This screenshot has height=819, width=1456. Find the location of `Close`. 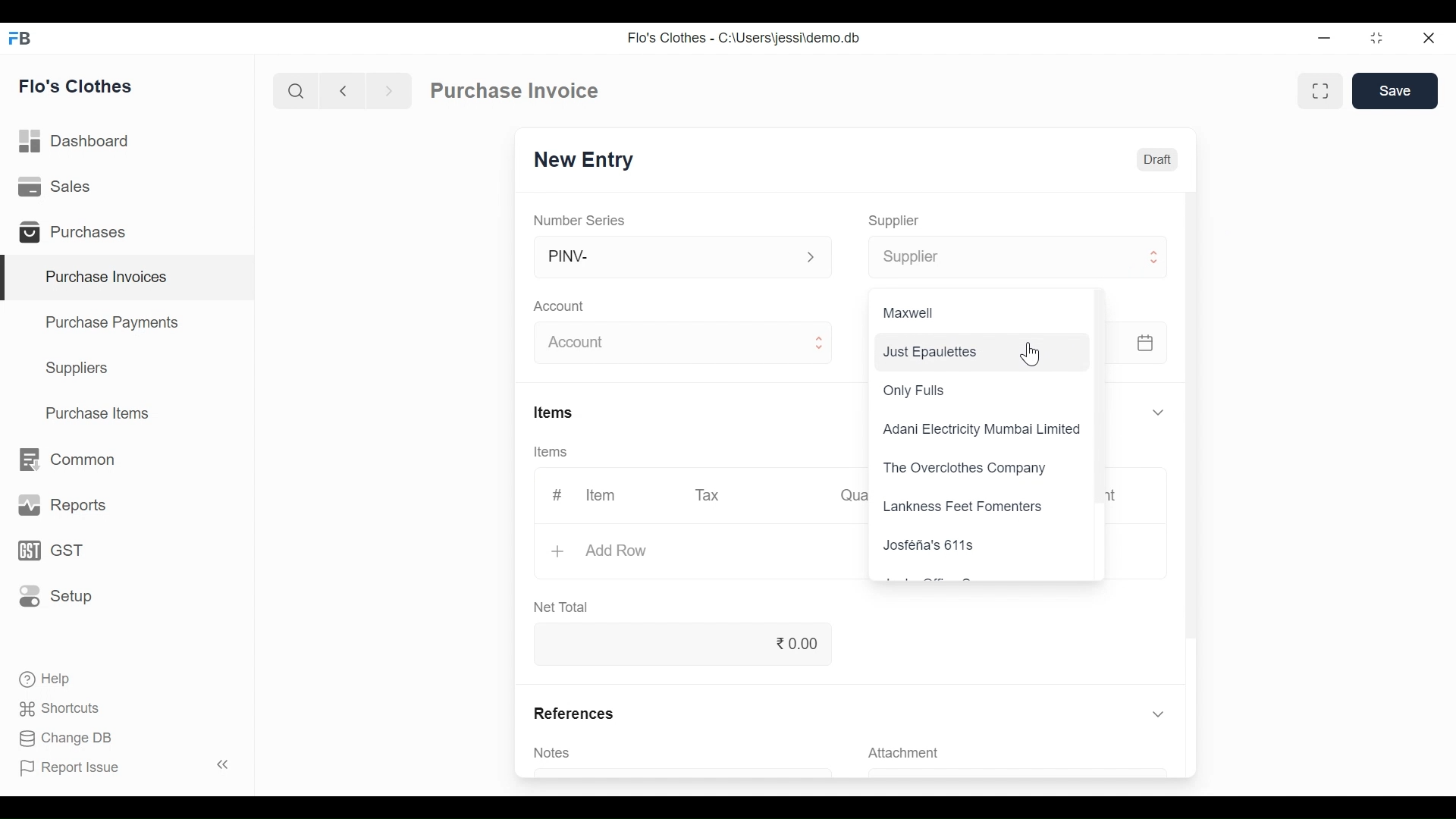

Close is located at coordinates (1429, 38).